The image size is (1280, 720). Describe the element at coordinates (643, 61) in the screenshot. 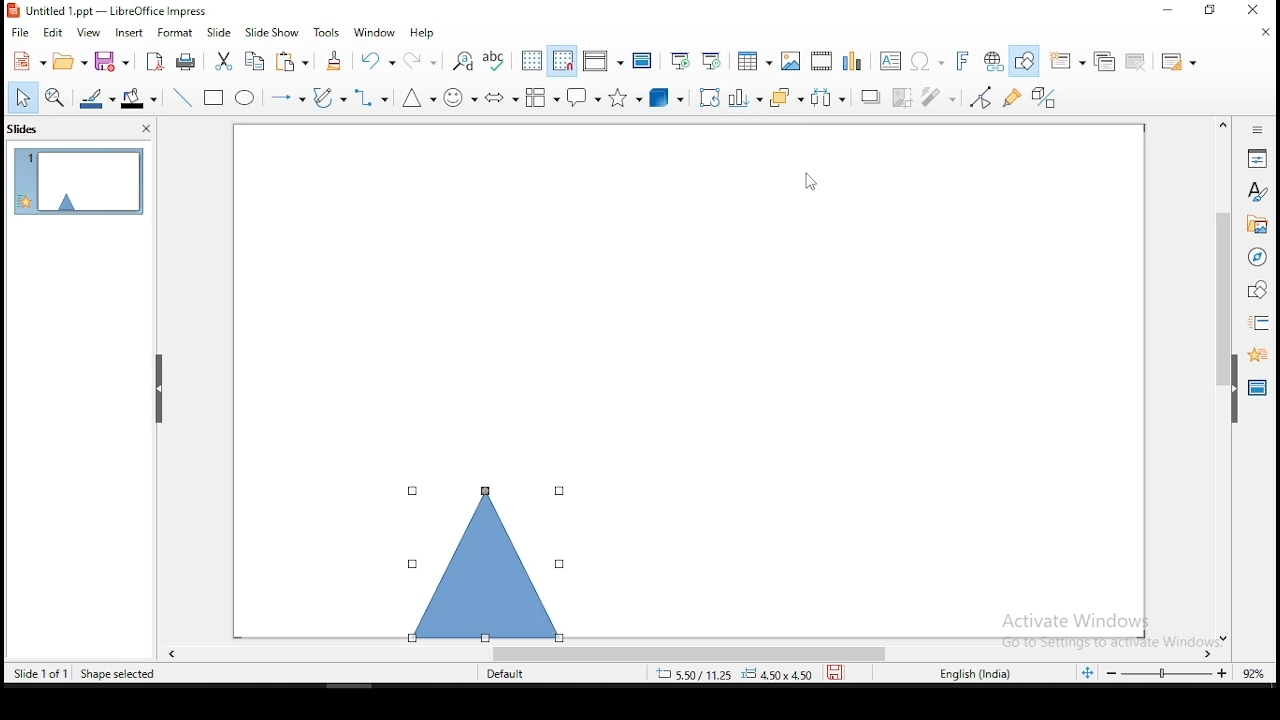

I see `master slide` at that location.